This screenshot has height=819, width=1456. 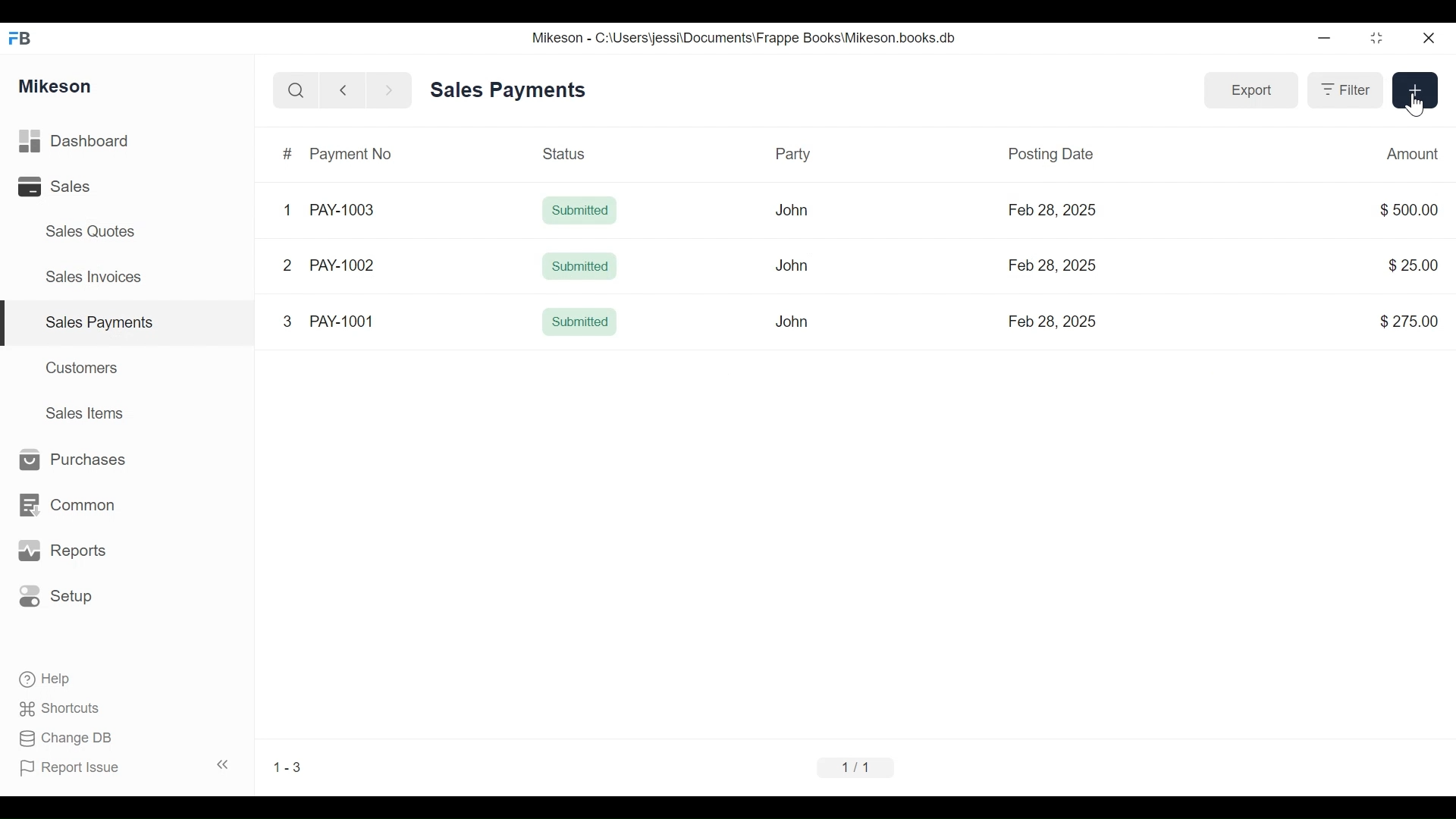 What do you see at coordinates (56, 679) in the screenshot?
I see `Help` at bounding box center [56, 679].